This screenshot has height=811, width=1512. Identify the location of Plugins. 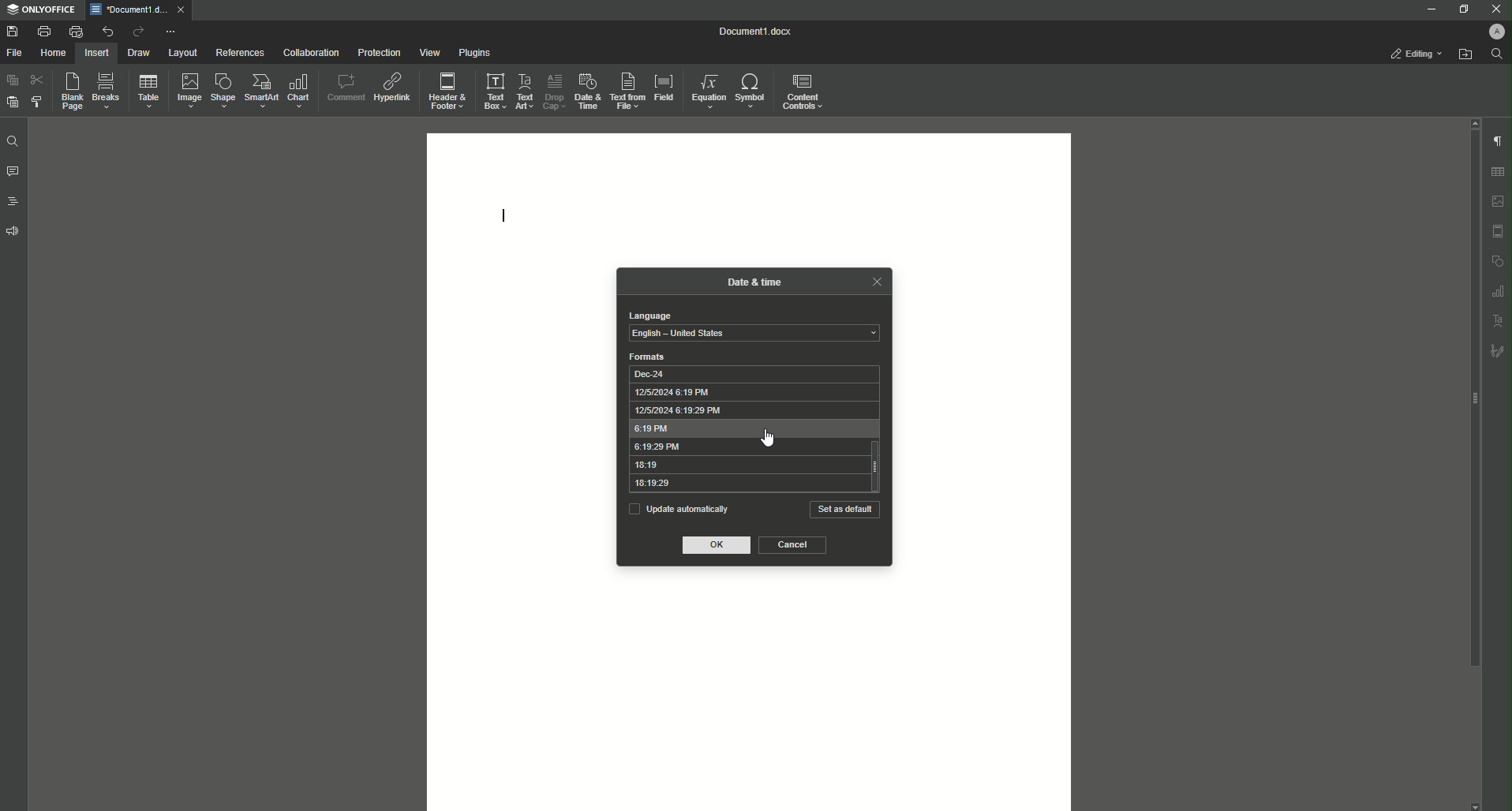
(472, 52).